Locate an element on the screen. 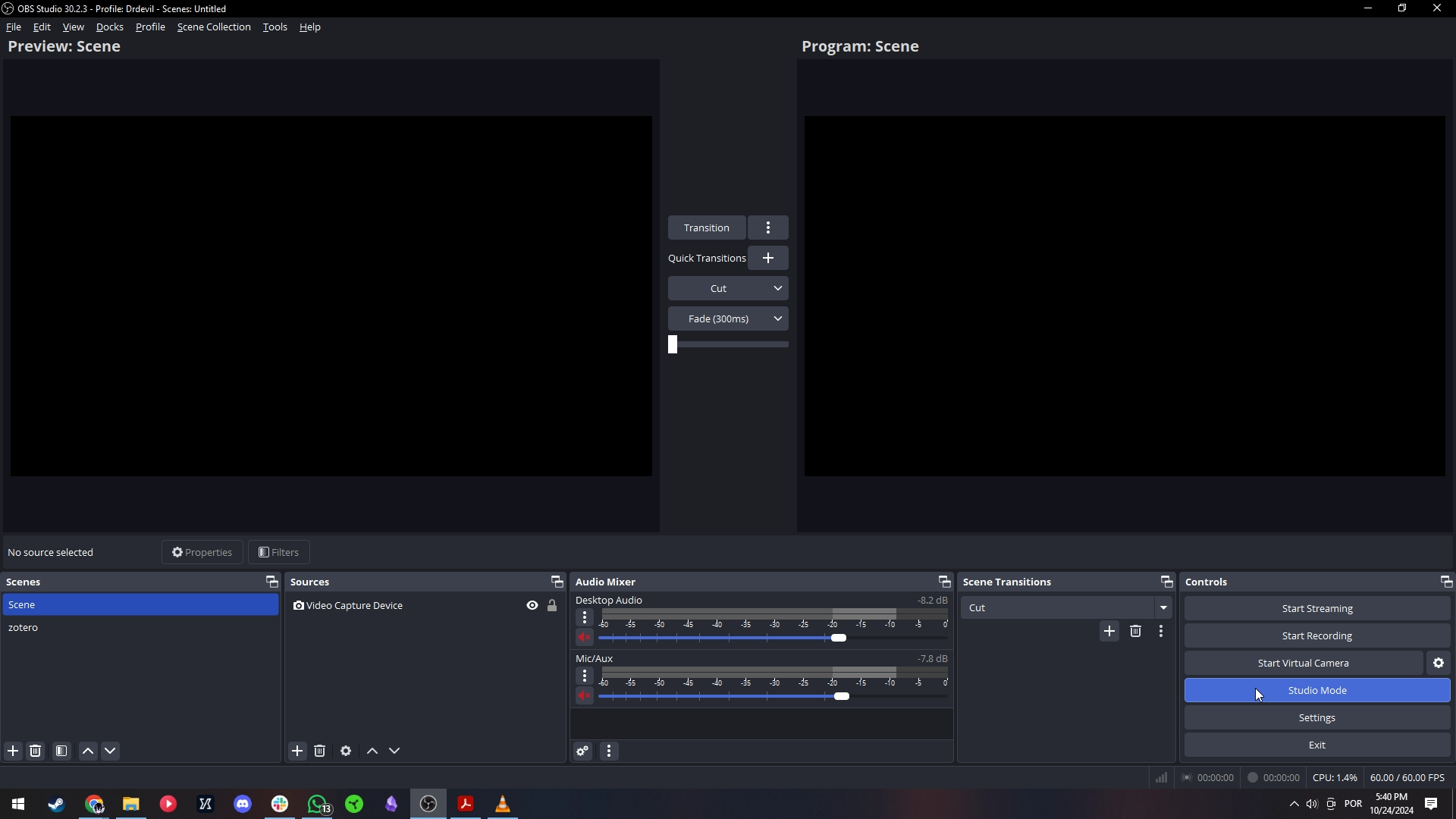 This screenshot has height=819, width=1456. whatsapp is located at coordinates (319, 803).